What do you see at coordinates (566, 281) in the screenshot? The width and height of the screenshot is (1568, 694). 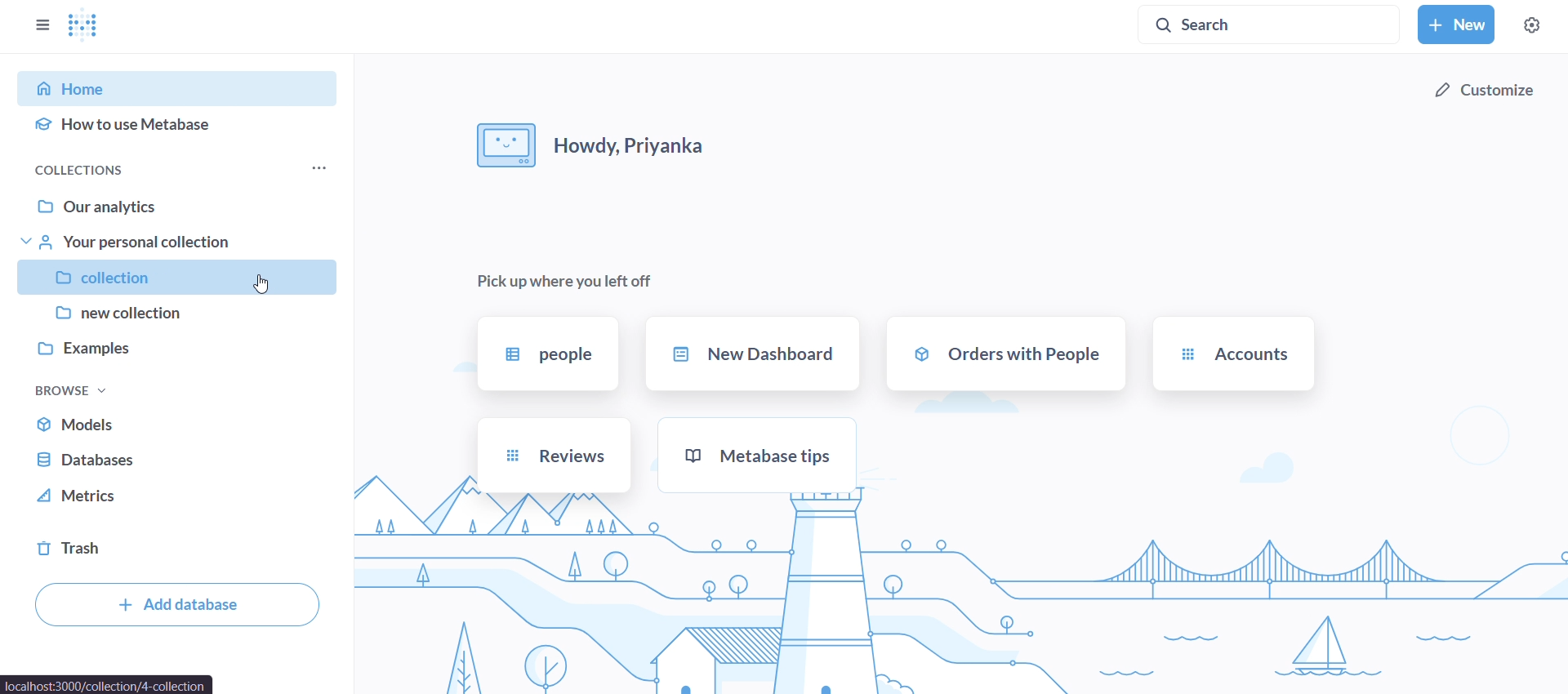 I see `pick up where you left off` at bounding box center [566, 281].